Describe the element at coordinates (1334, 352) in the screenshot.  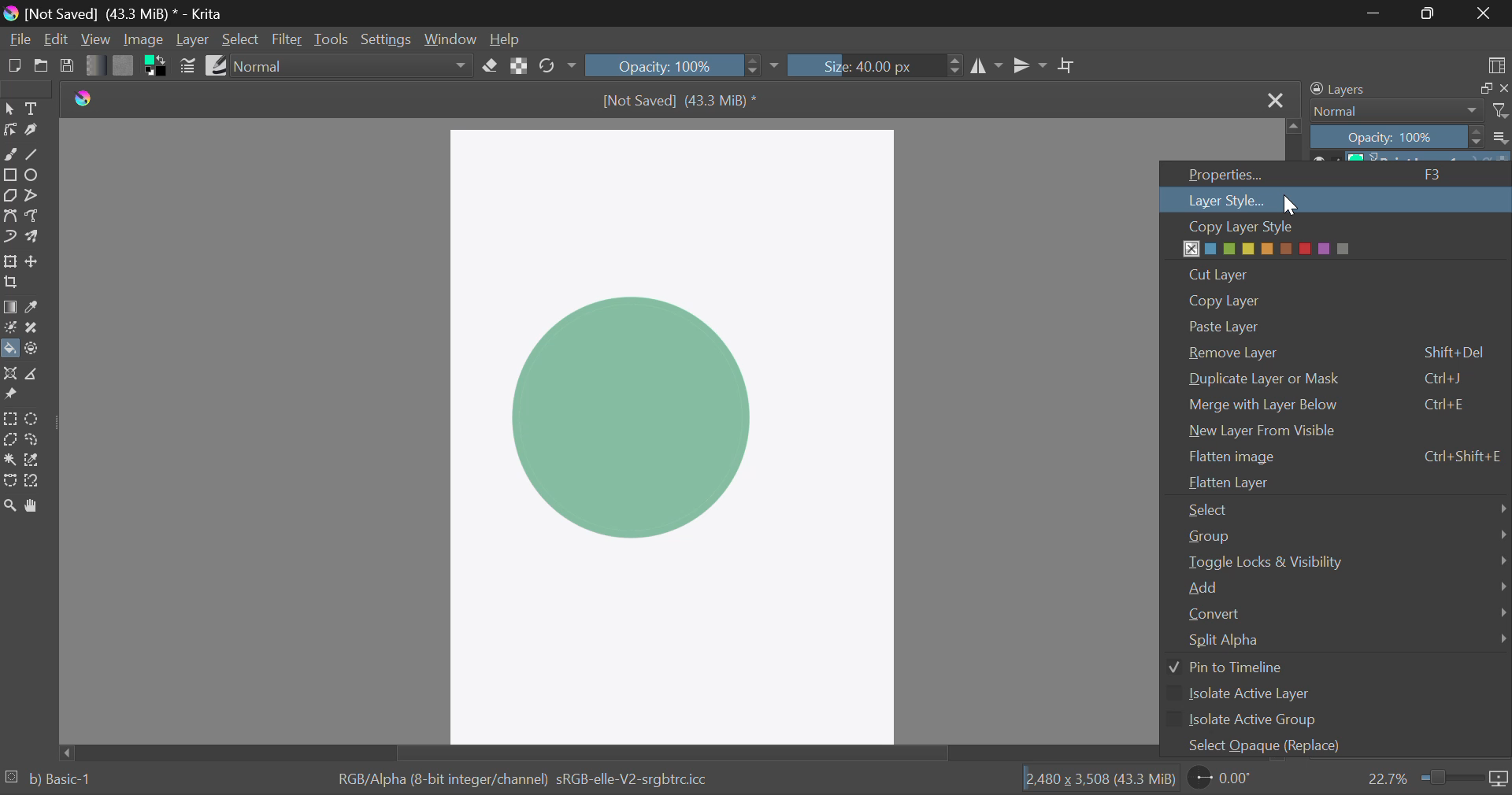
I see `Remove Layer` at that location.